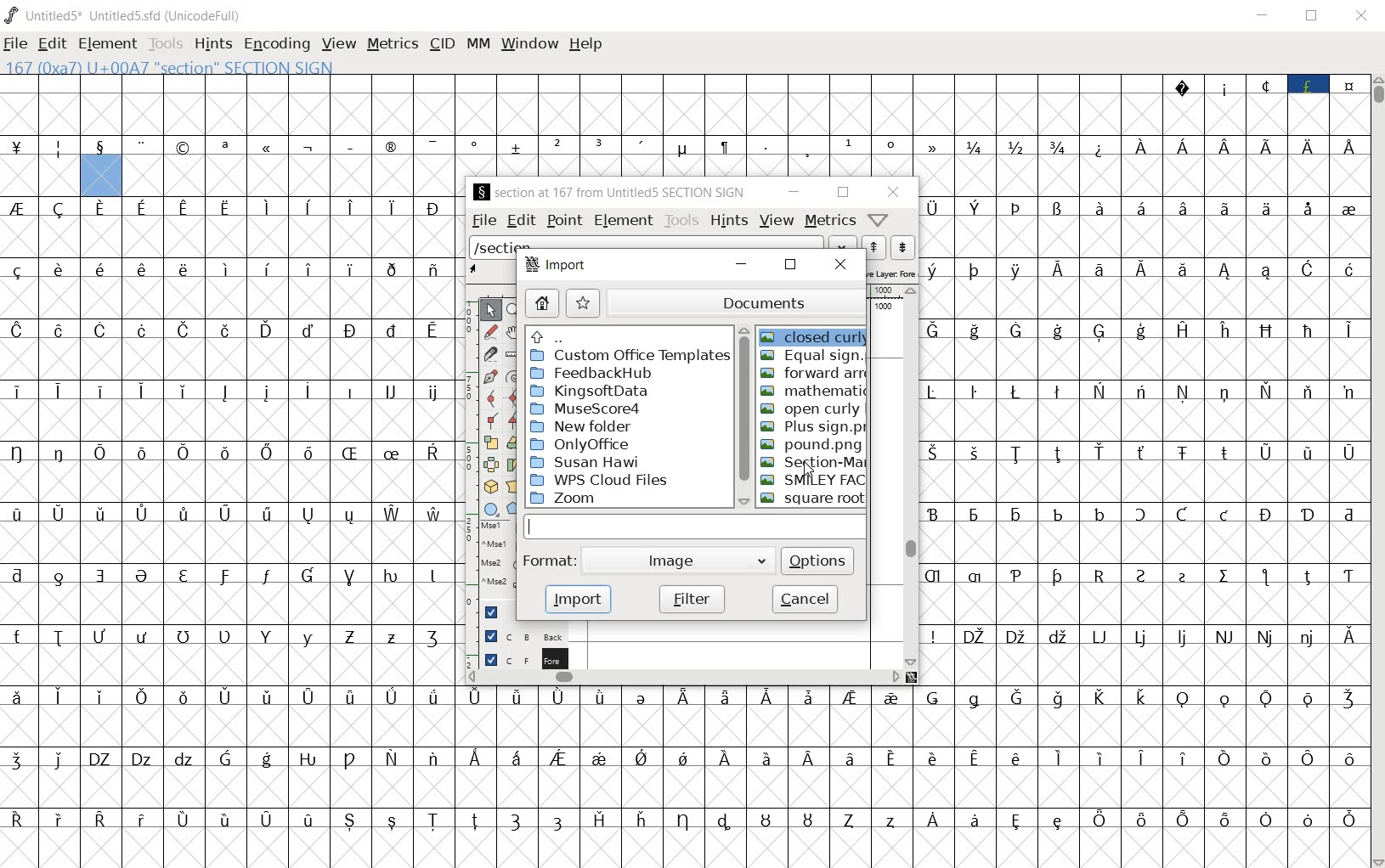  Describe the element at coordinates (529, 42) in the screenshot. I see `window` at that location.